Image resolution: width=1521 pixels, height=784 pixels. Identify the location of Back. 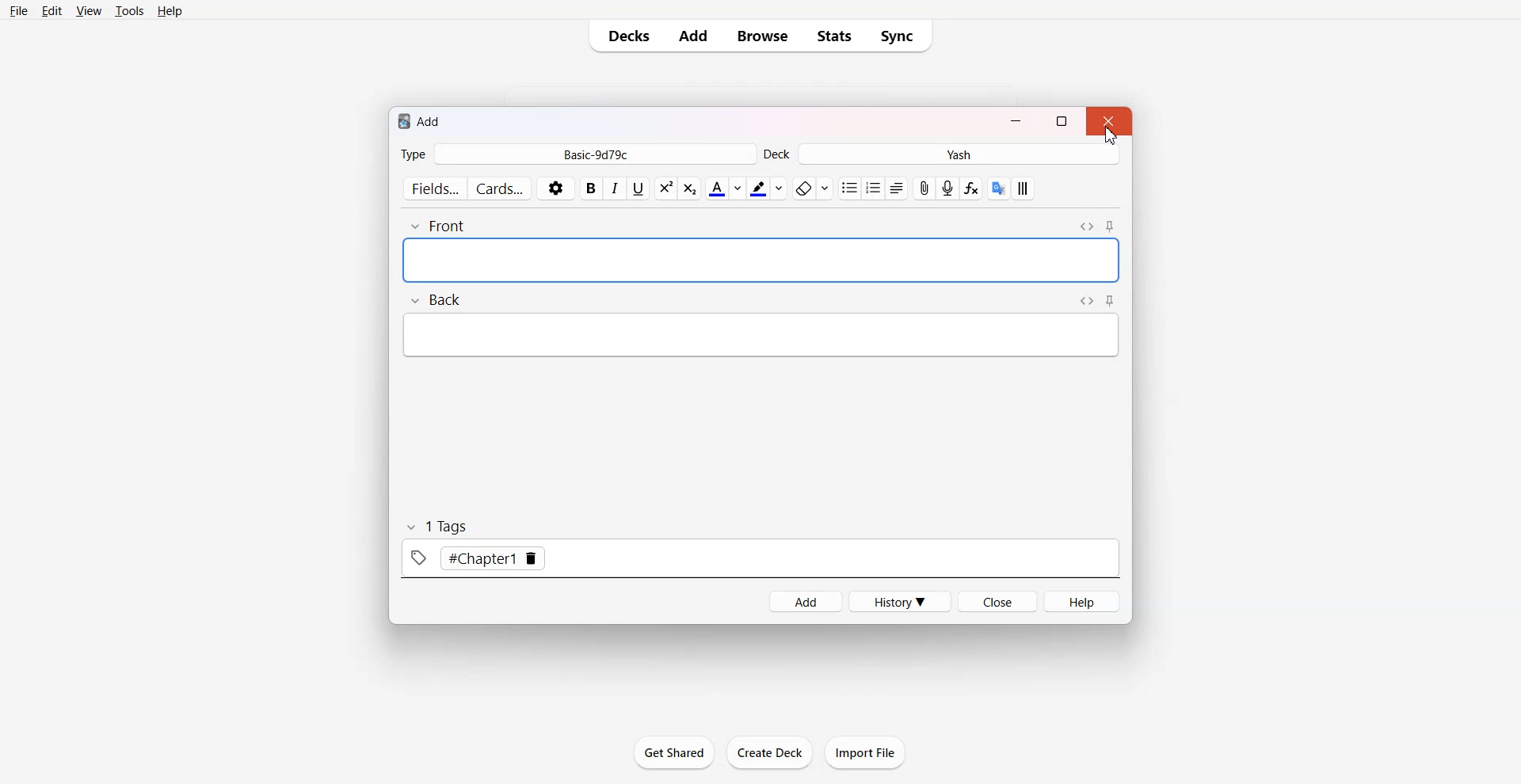
(435, 299).